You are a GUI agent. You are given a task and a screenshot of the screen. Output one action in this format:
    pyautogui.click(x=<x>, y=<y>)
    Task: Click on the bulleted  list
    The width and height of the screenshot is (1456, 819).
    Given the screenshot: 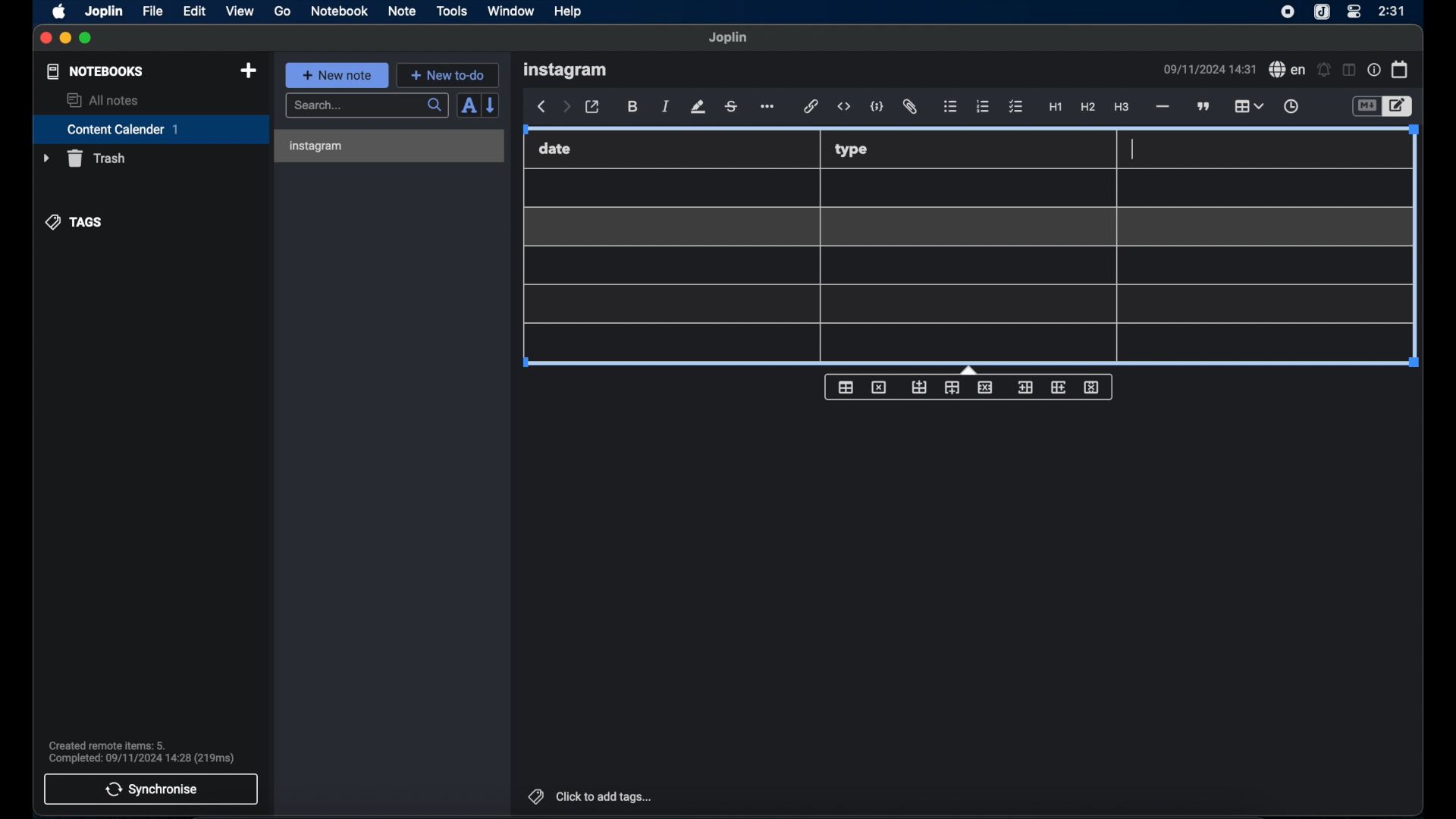 What is the action you would take?
    pyautogui.click(x=951, y=105)
    